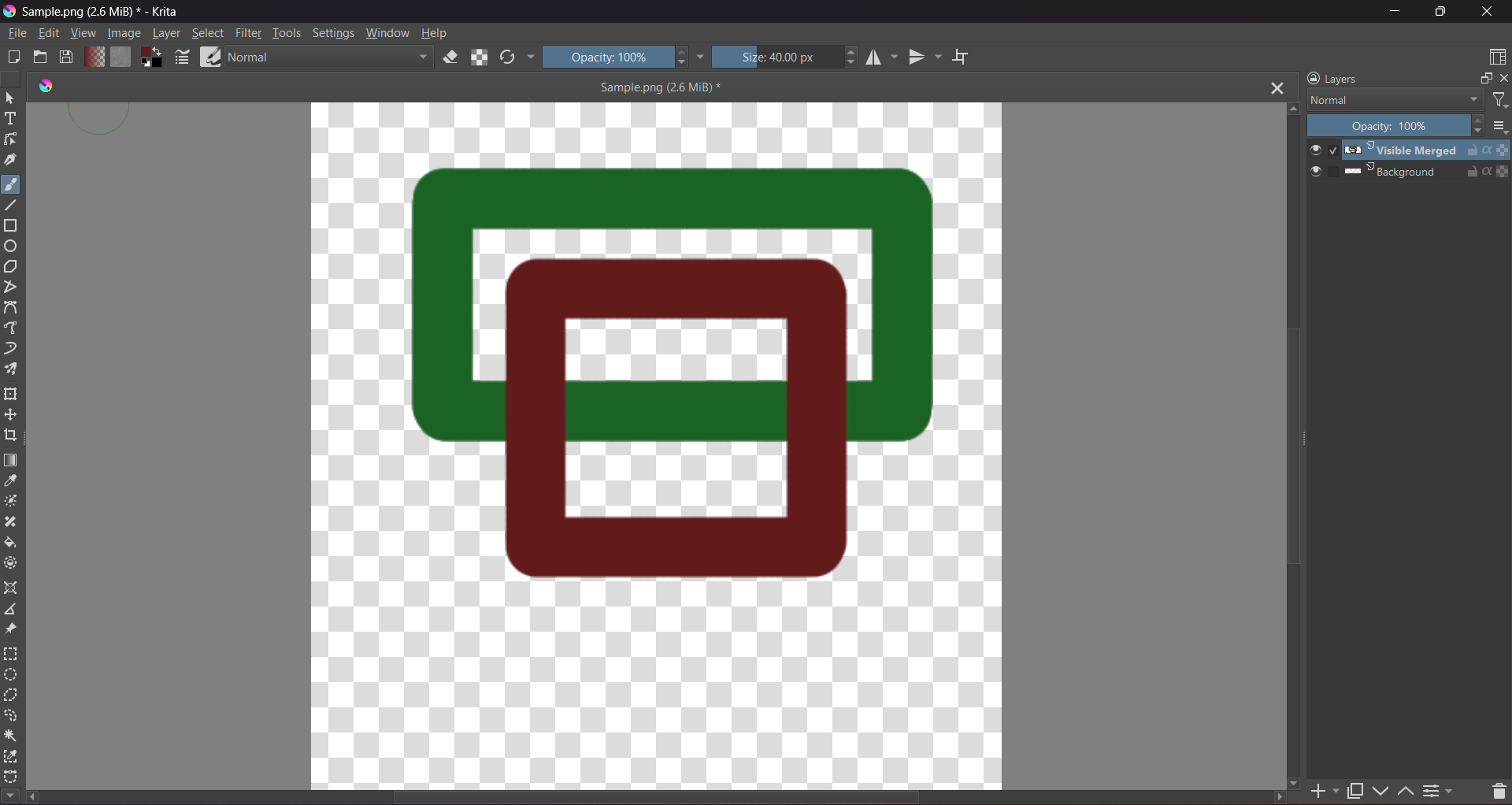 The image size is (1512, 805). I want to click on Bezier Curve Selection, so click(12, 774).